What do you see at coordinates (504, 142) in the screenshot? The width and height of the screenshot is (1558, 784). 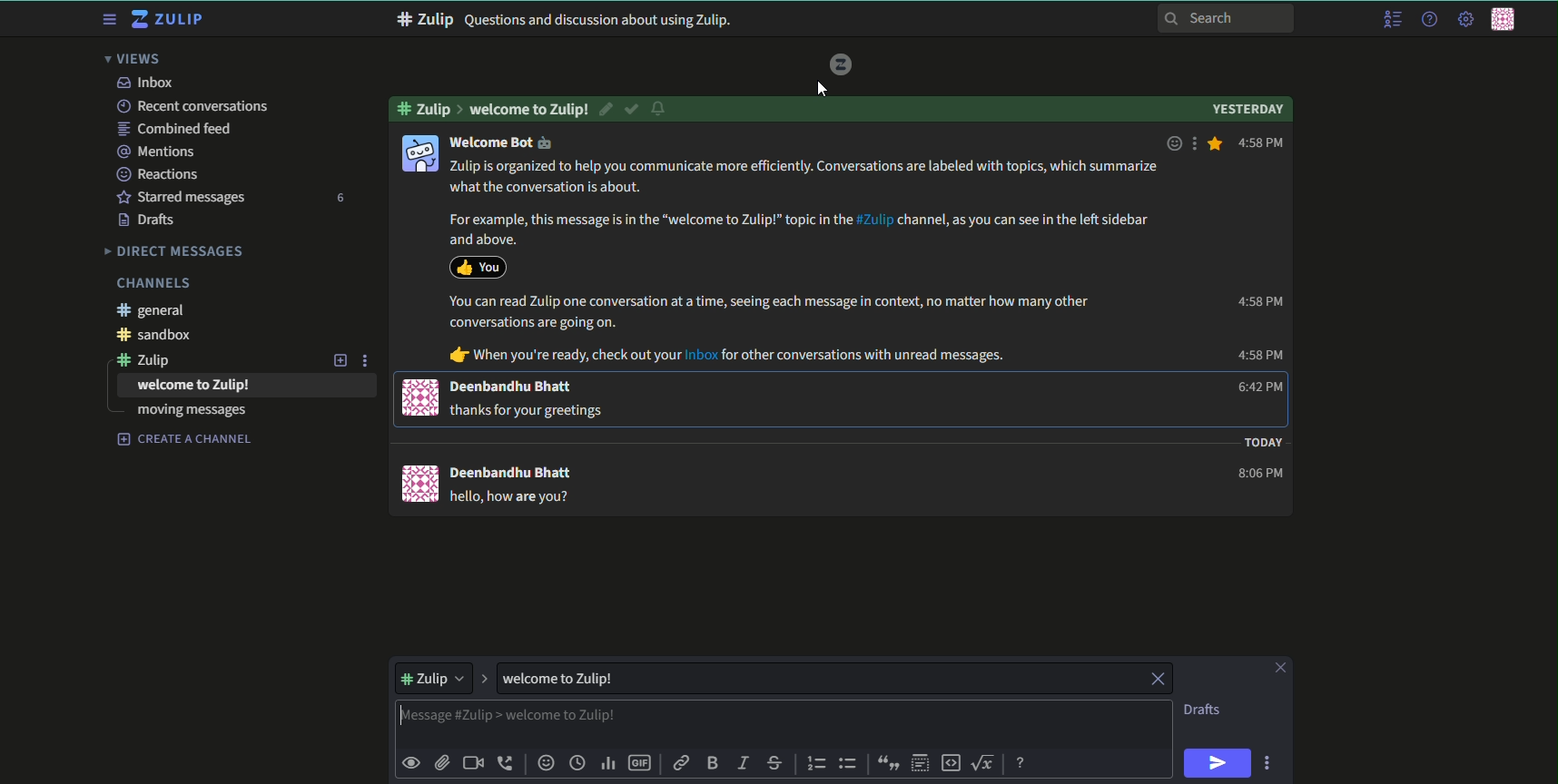 I see `Welcome Bot` at bounding box center [504, 142].